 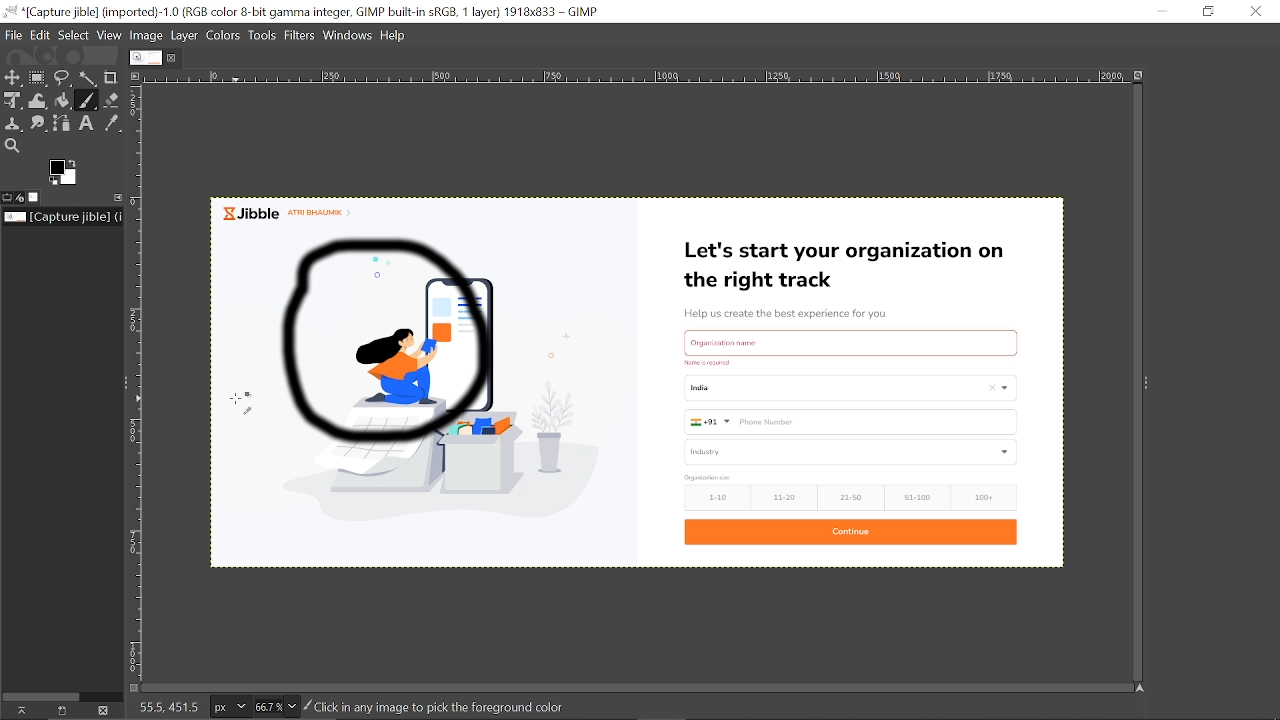 What do you see at coordinates (359, 217) in the screenshot?
I see `currently opened image` at bounding box center [359, 217].